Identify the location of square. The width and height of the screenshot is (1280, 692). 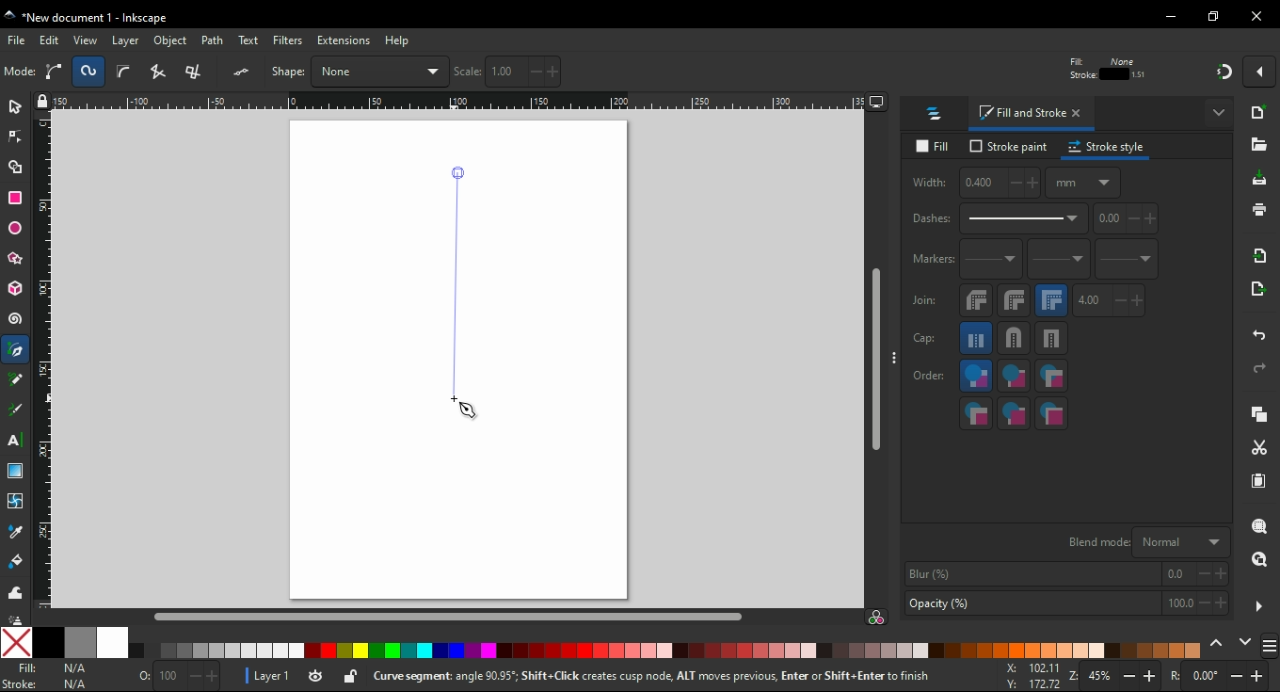
(1052, 338).